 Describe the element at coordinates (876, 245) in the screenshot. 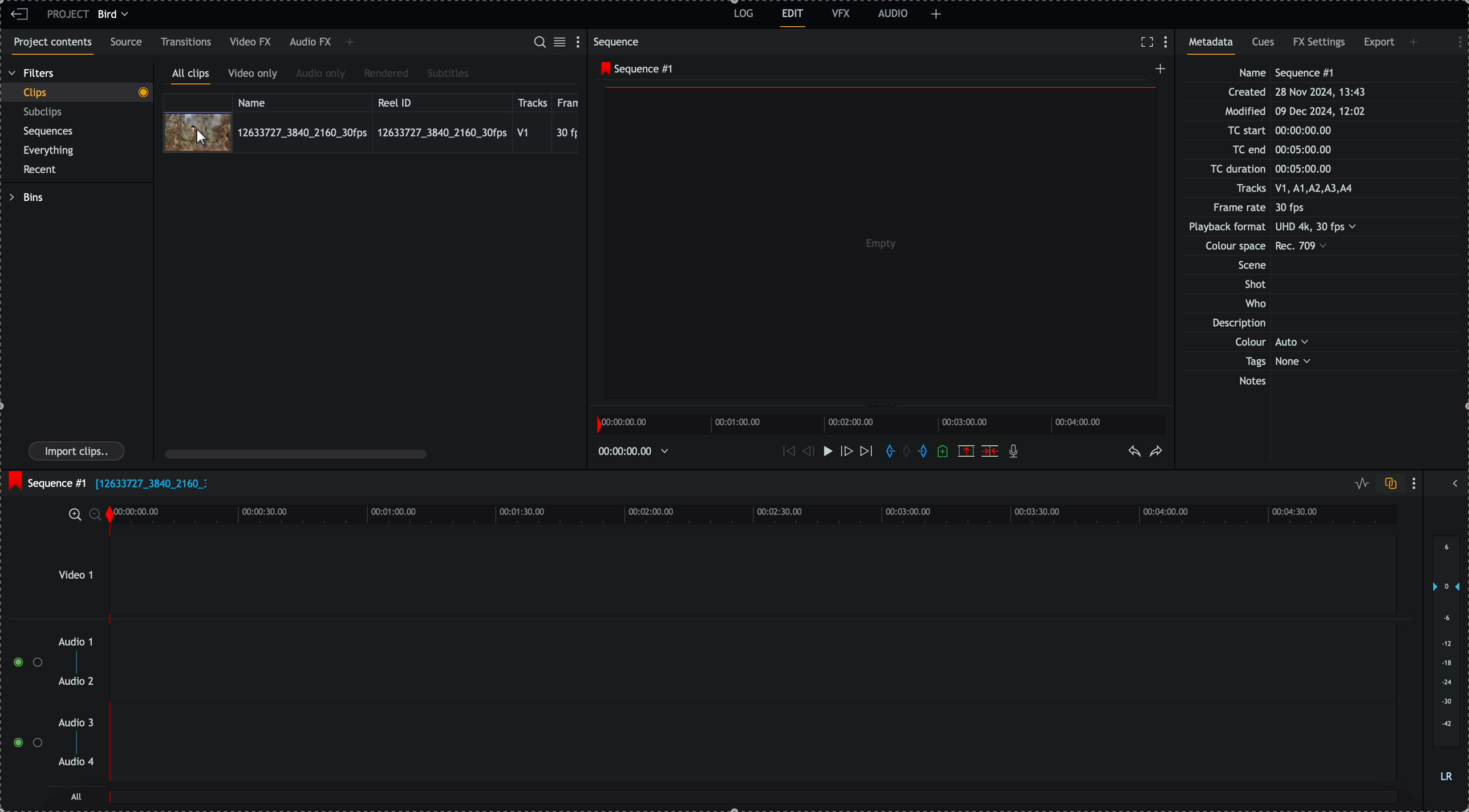

I see `video preview` at that location.